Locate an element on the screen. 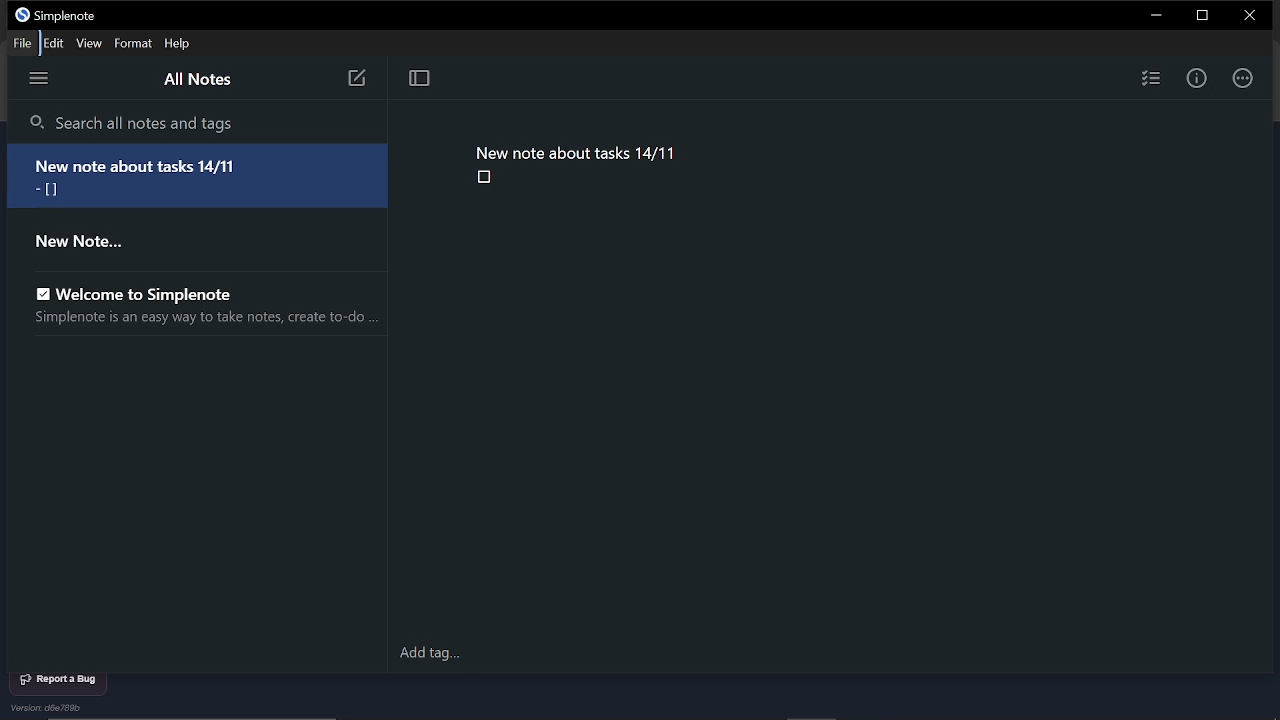 This screenshot has width=1280, height=720. Welcome to Simplenote is located at coordinates (143, 294).